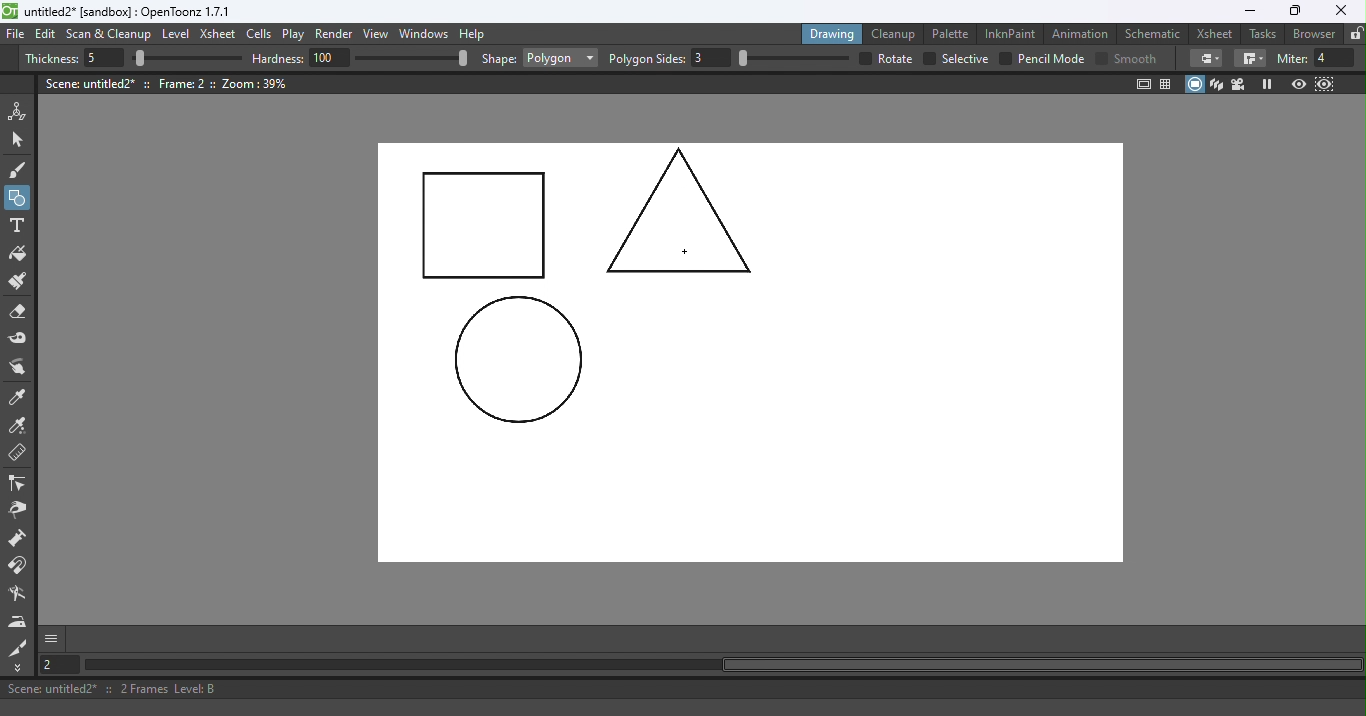 The width and height of the screenshot is (1366, 716). Describe the element at coordinates (129, 12) in the screenshot. I see `File name` at that location.